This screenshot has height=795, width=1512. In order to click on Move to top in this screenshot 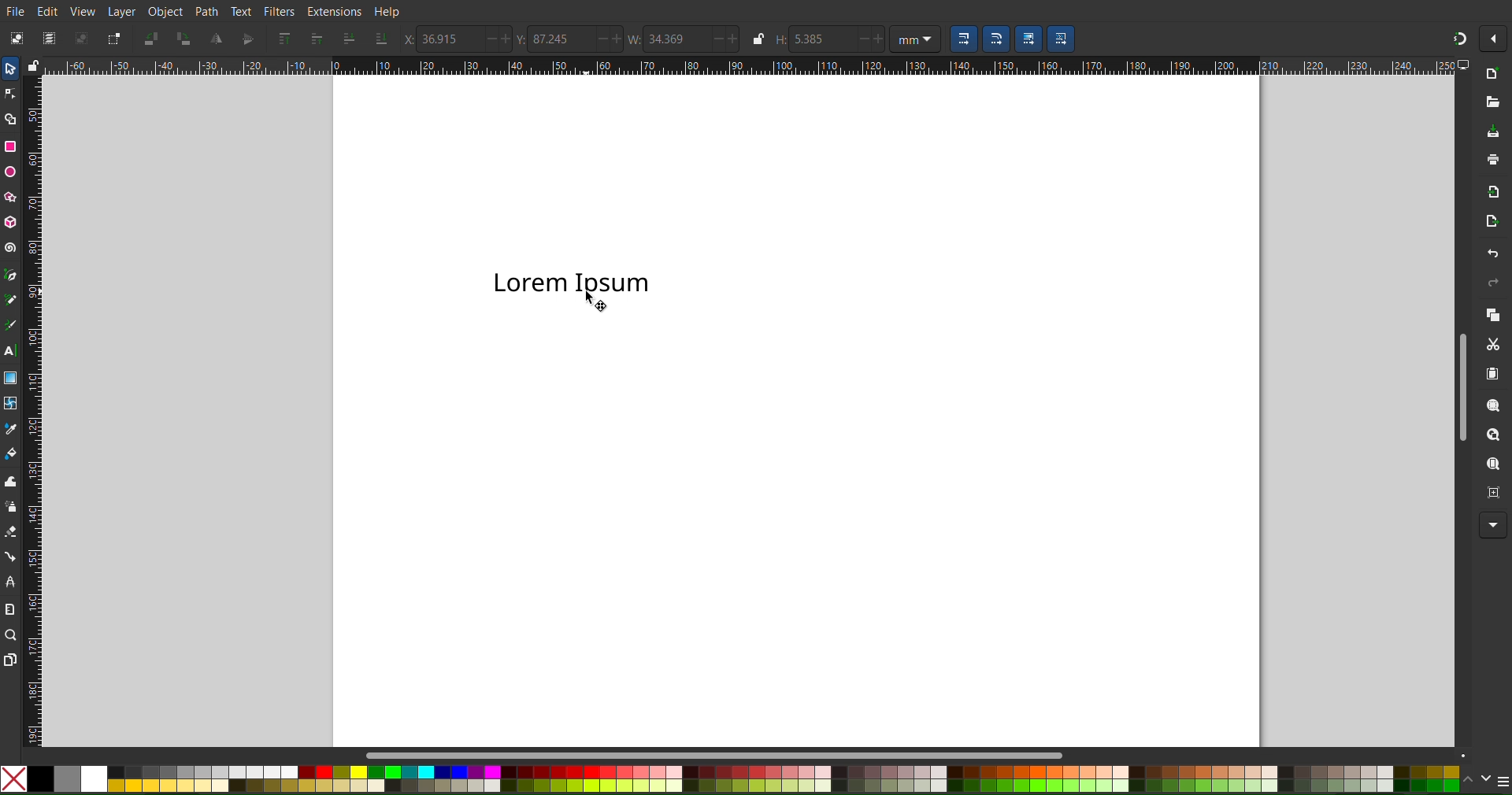, I will do `click(286, 39)`.